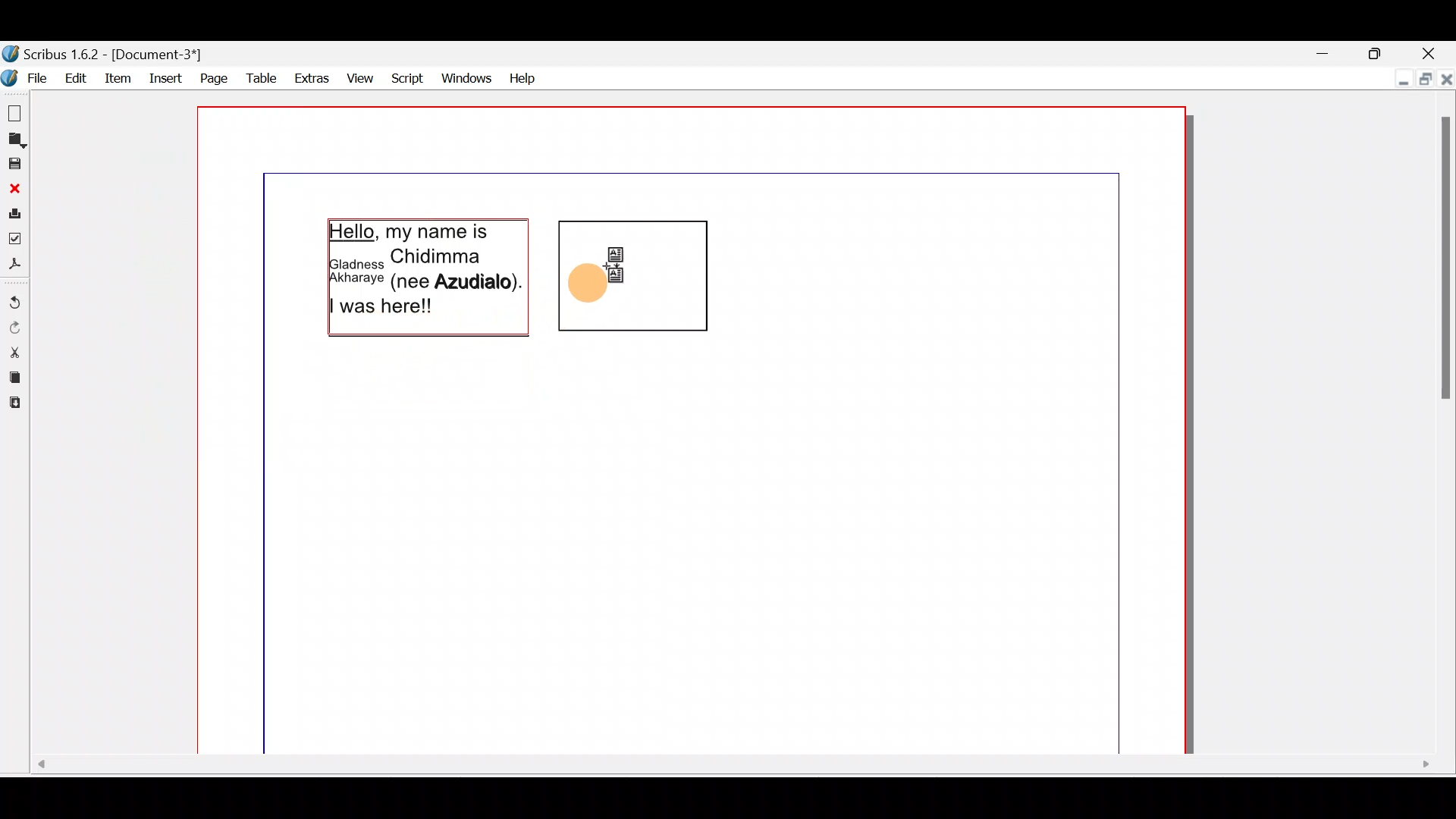 The height and width of the screenshot is (819, 1456). Describe the element at coordinates (15, 140) in the screenshot. I see `Open` at that location.